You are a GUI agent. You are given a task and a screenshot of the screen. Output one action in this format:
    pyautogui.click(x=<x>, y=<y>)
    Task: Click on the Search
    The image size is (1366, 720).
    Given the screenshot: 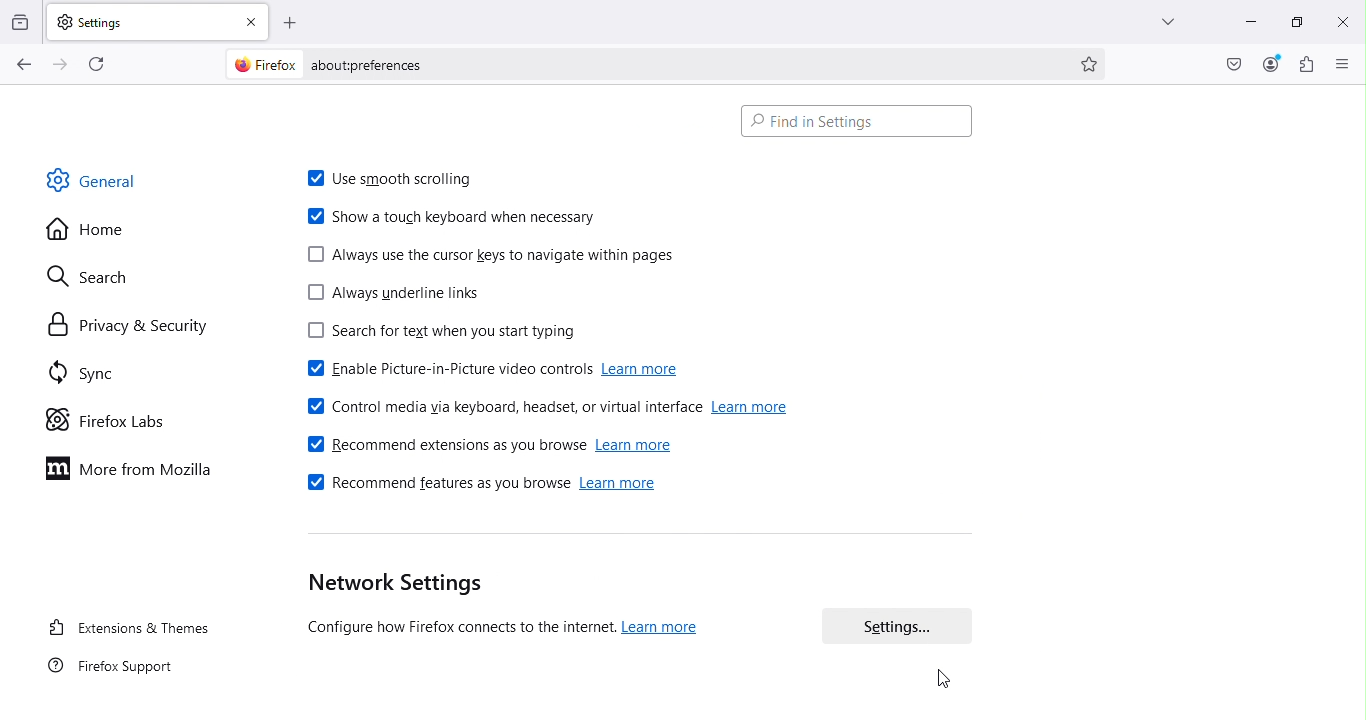 What is the action you would take?
    pyautogui.click(x=113, y=276)
    